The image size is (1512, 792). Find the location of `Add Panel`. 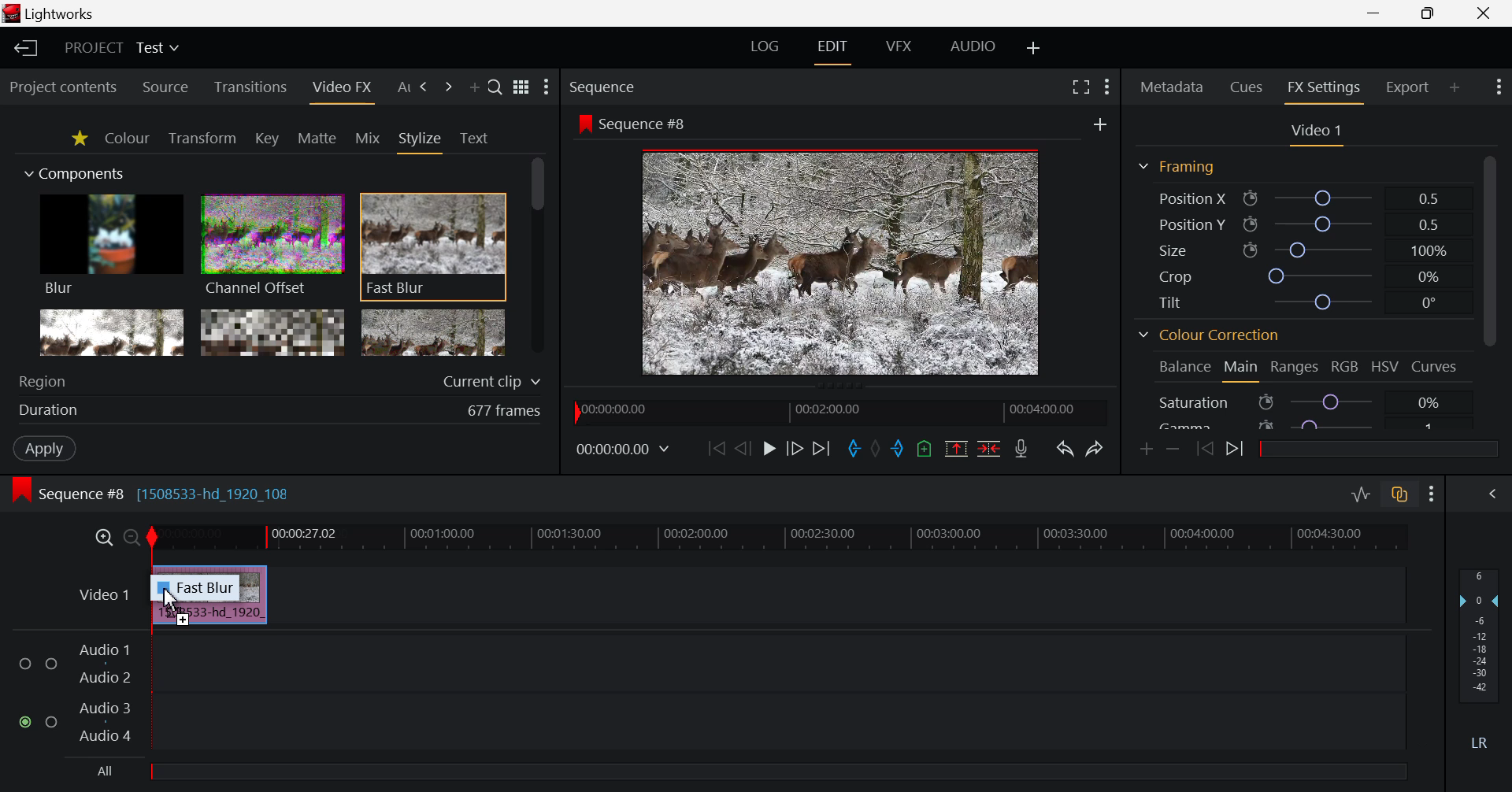

Add Panel is located at coordinates (446, 87).